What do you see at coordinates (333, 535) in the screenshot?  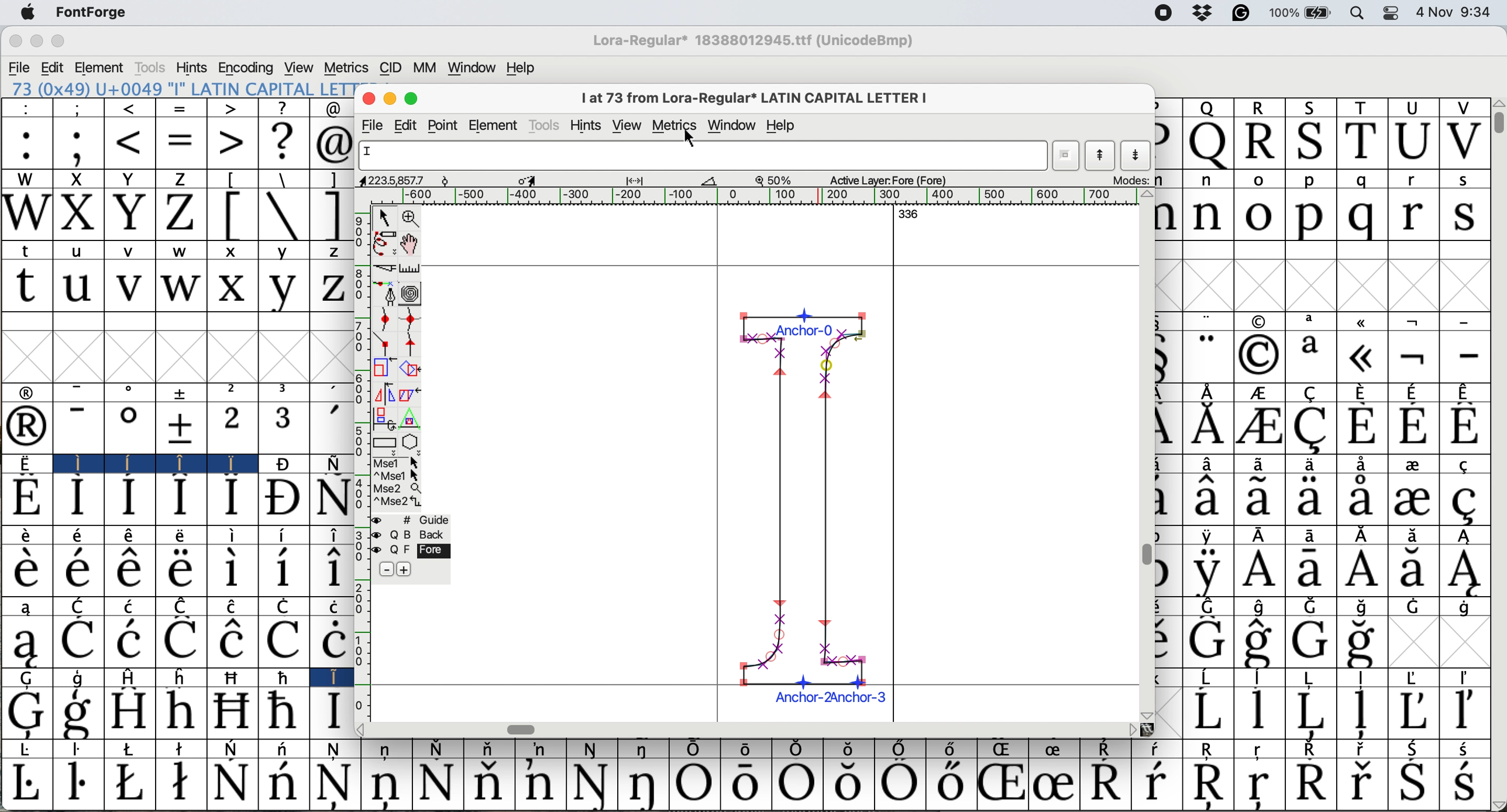 I see `Symbol` at bounding box center [333, 535].